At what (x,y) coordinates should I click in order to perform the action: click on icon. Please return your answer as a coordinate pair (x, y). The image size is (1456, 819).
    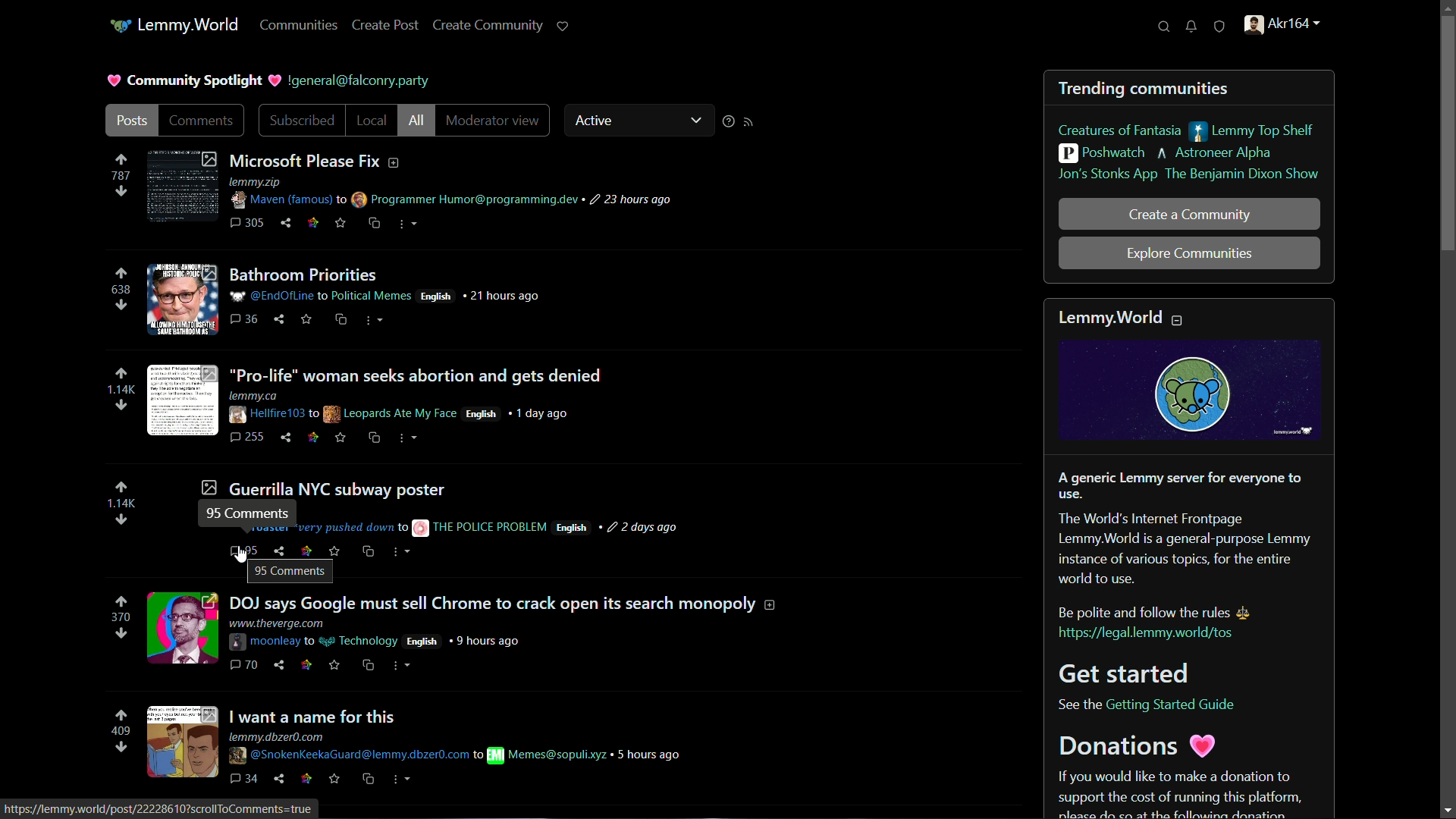
    Looking at the image, I should click on (118, 27).